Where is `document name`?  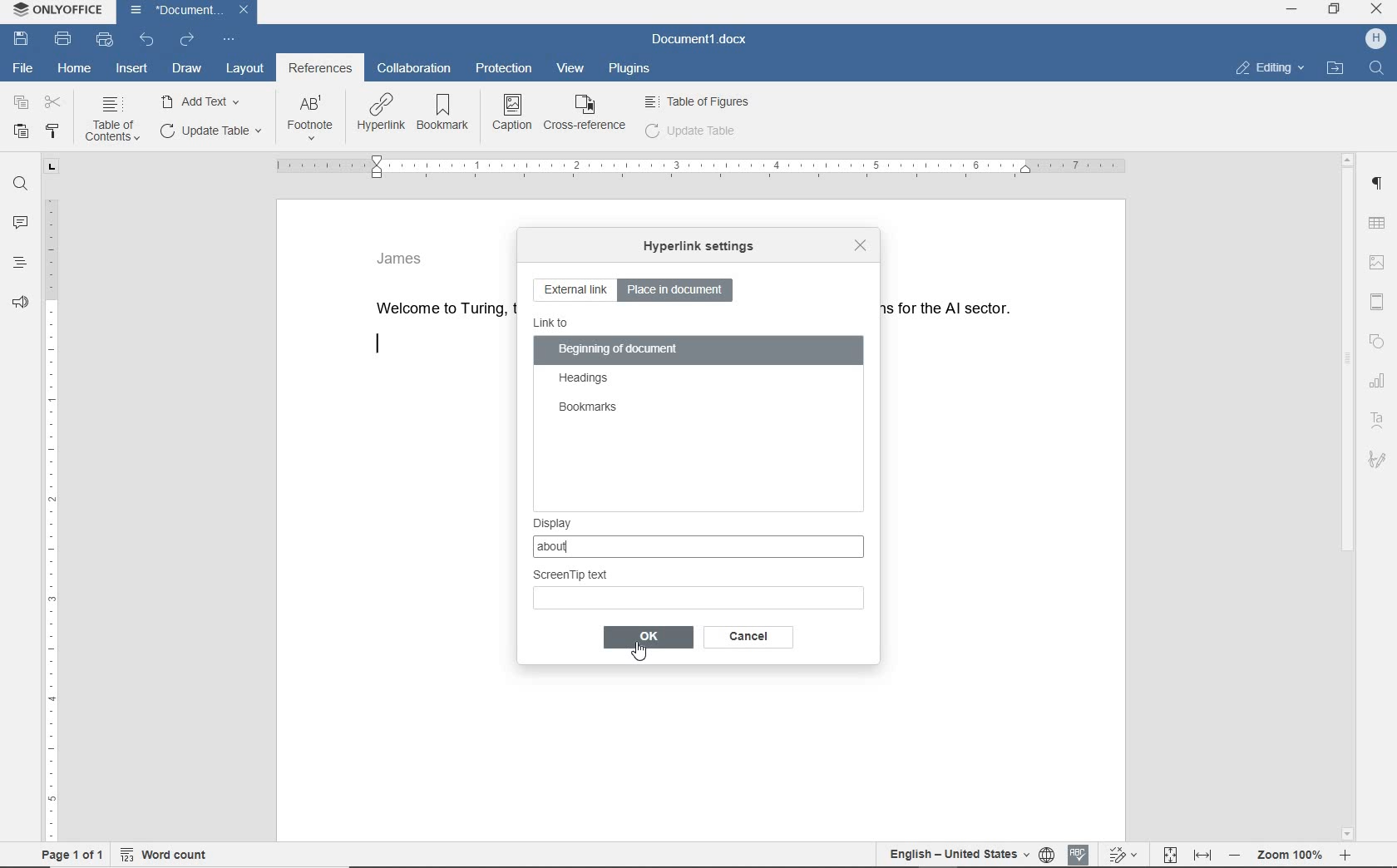 document name is located at coordinates (699, 39).